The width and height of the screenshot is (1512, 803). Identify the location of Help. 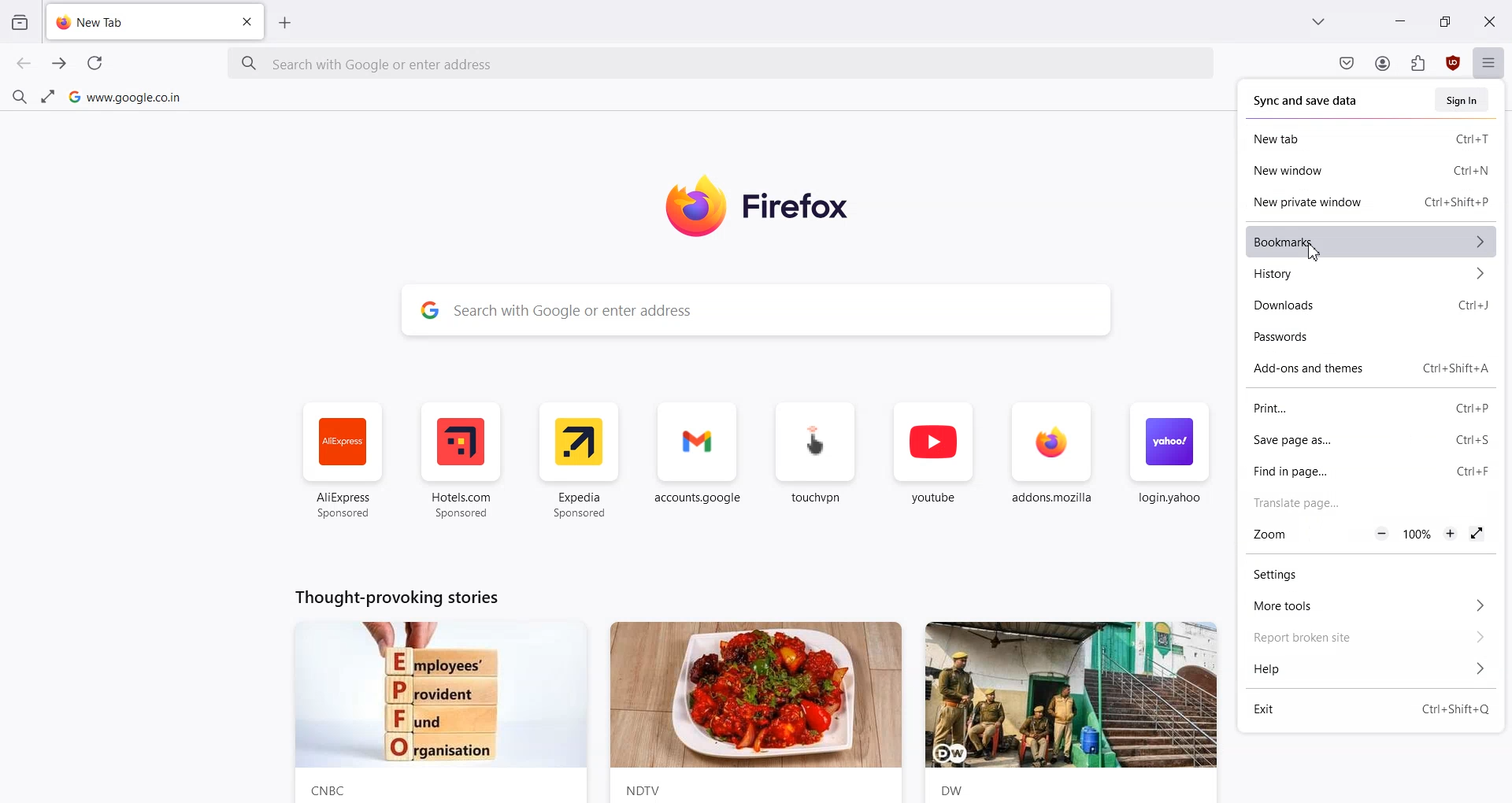
(1371, 669).